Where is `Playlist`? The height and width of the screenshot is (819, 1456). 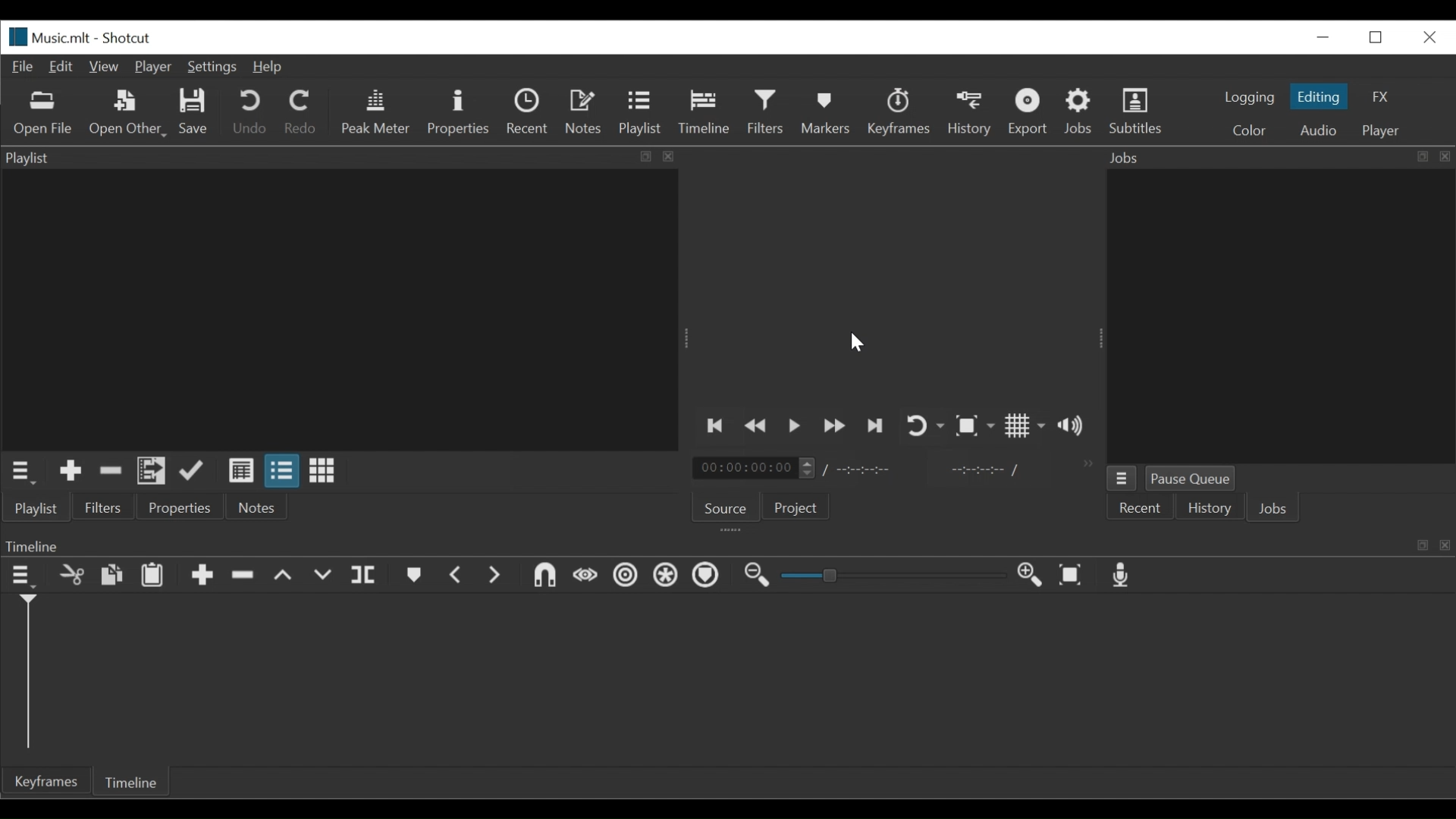 Playlist is located at coordinates (639, 114).